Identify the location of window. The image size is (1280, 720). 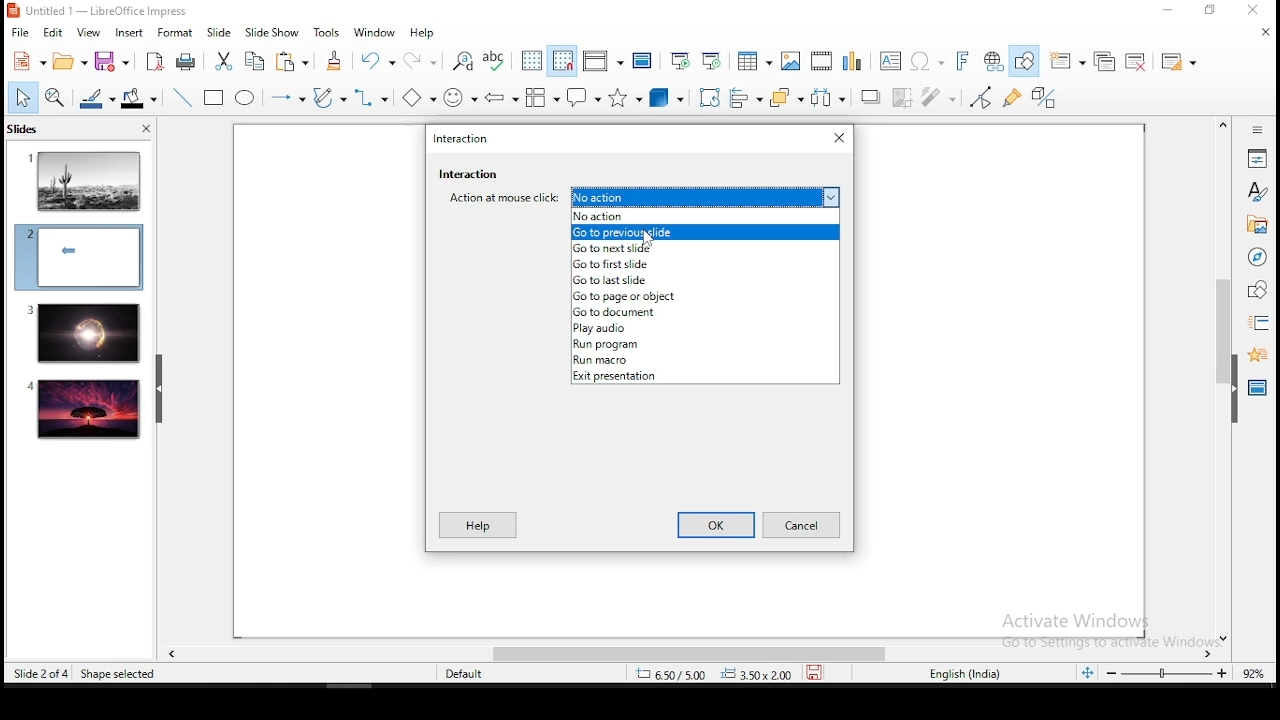
(375, 33).